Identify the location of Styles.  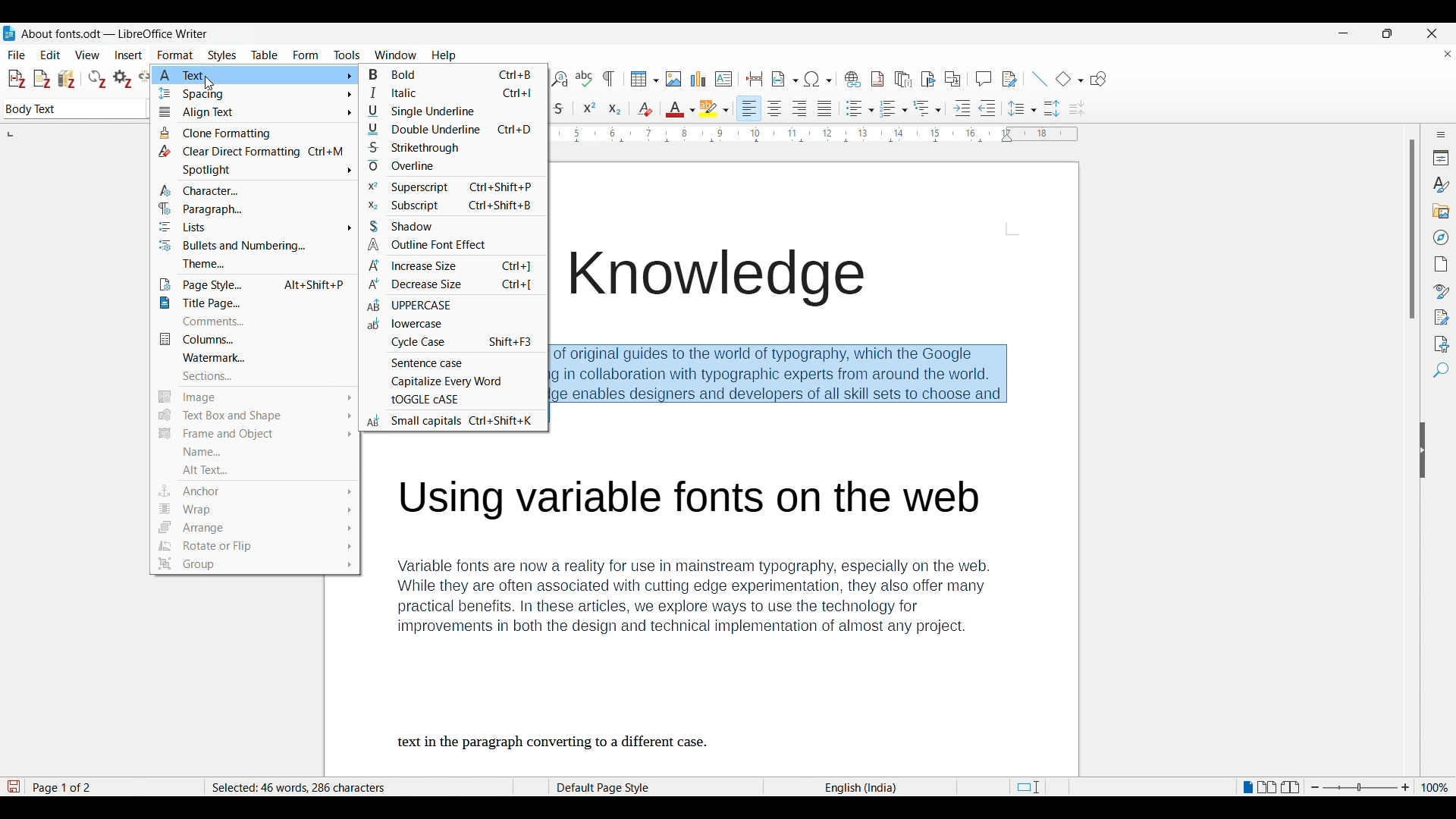
(1440, 185).